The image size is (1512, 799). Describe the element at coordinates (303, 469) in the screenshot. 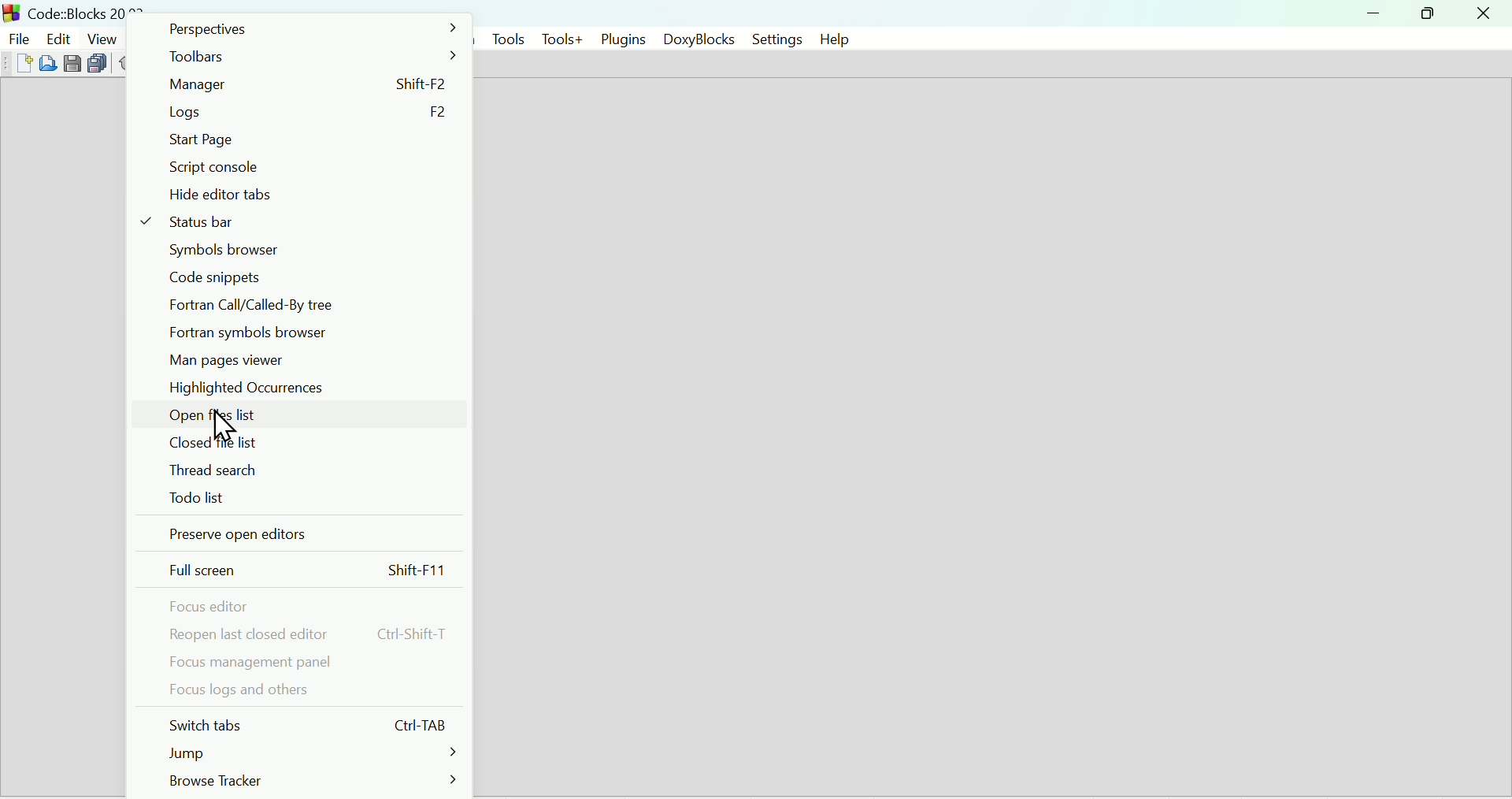

I see `Thread search` at that location.